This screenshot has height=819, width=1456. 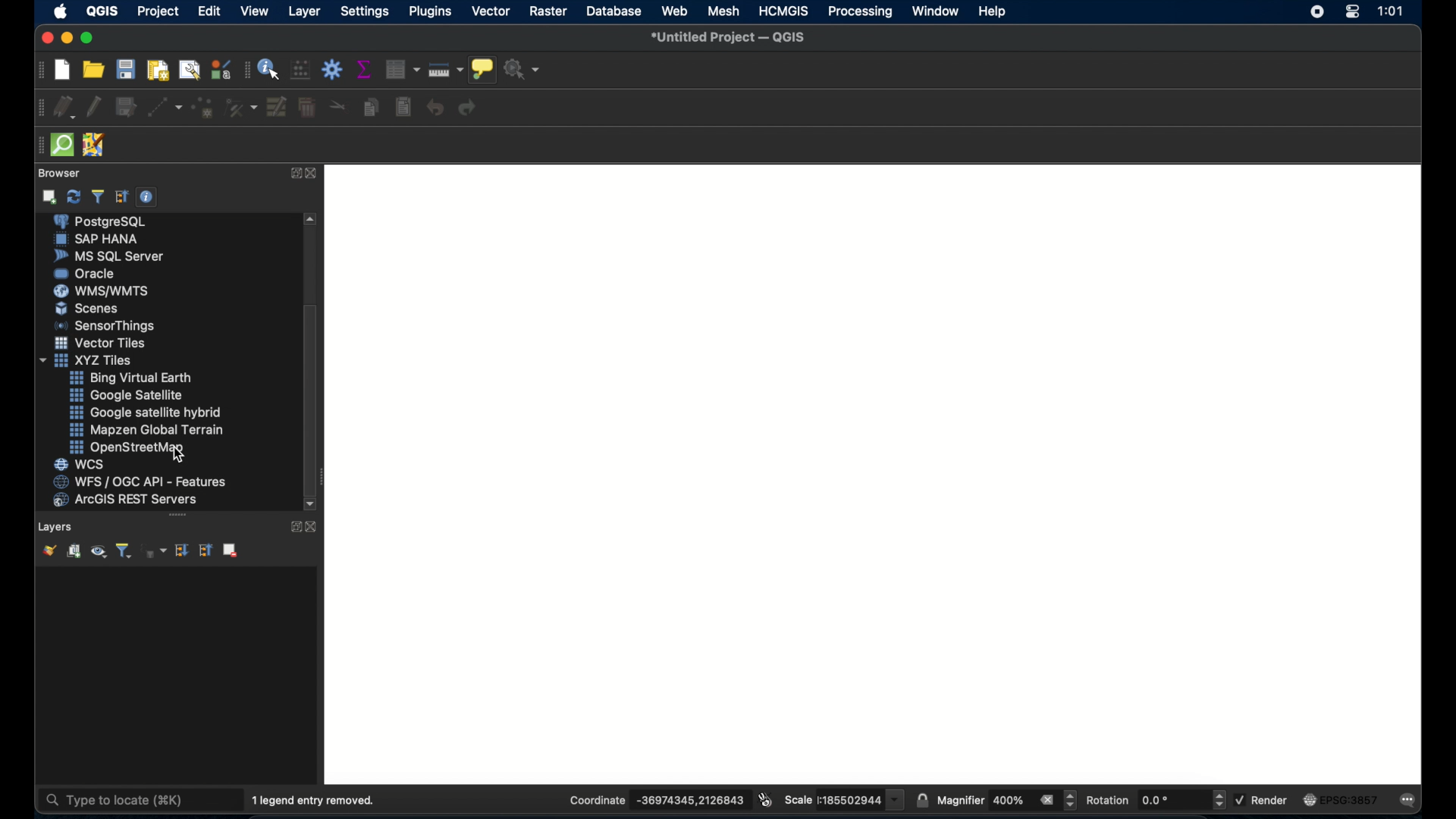 What do you see at coordinates (124, 551) in the screenshot?
I see `filter legend` at bounding box center [124, 551].